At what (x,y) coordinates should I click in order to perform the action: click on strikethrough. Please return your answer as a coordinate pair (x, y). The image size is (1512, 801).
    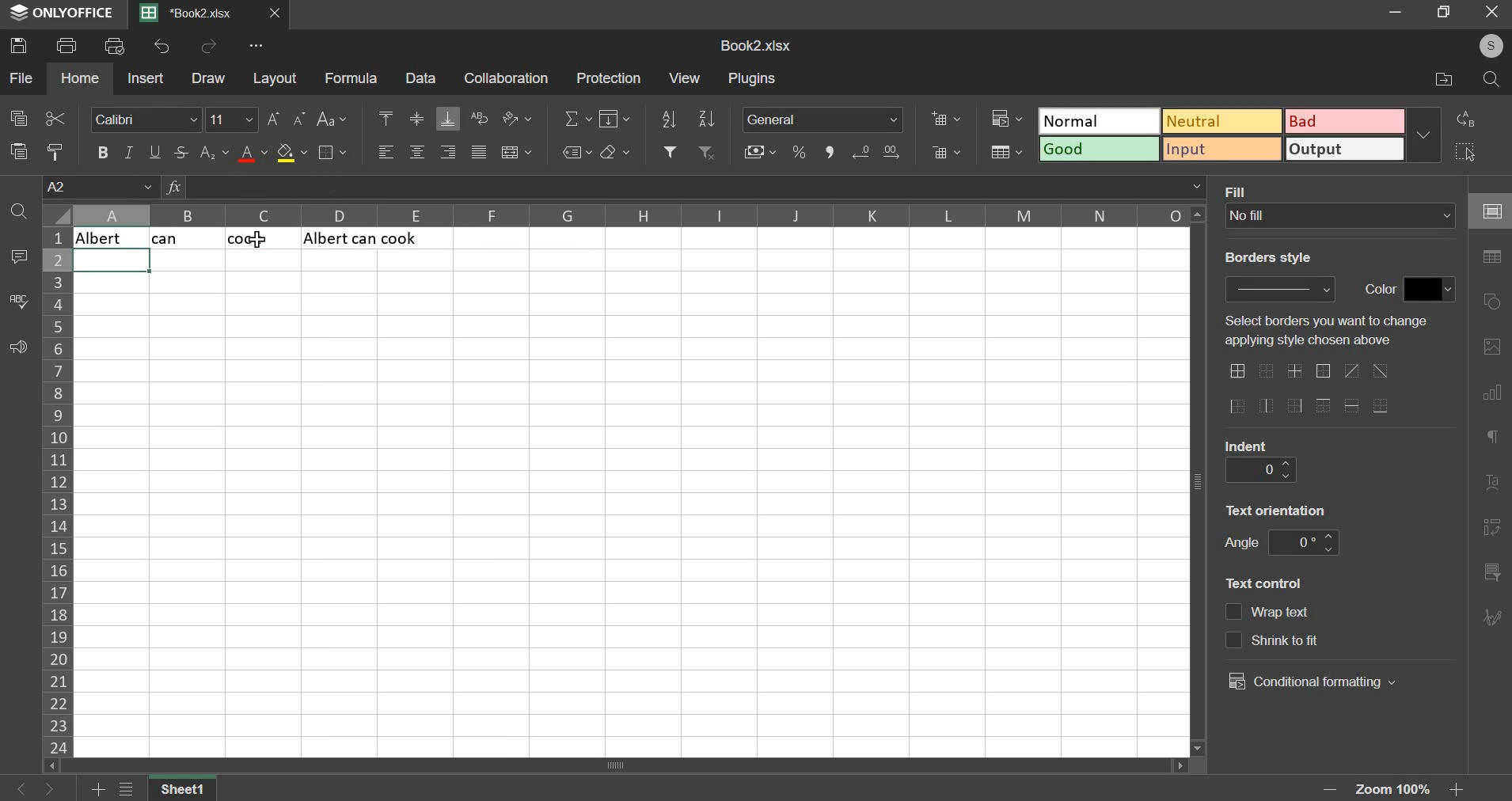
    Looking at the image, I should click on (180, 152).